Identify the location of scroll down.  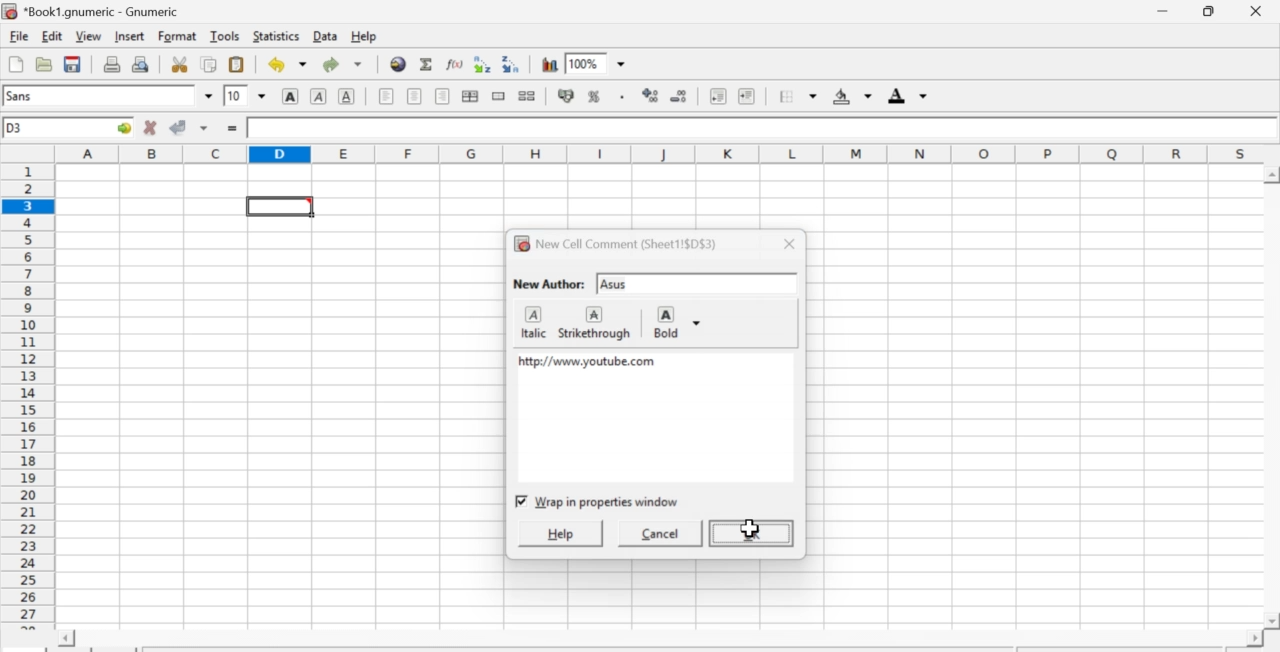
(1272, 622).